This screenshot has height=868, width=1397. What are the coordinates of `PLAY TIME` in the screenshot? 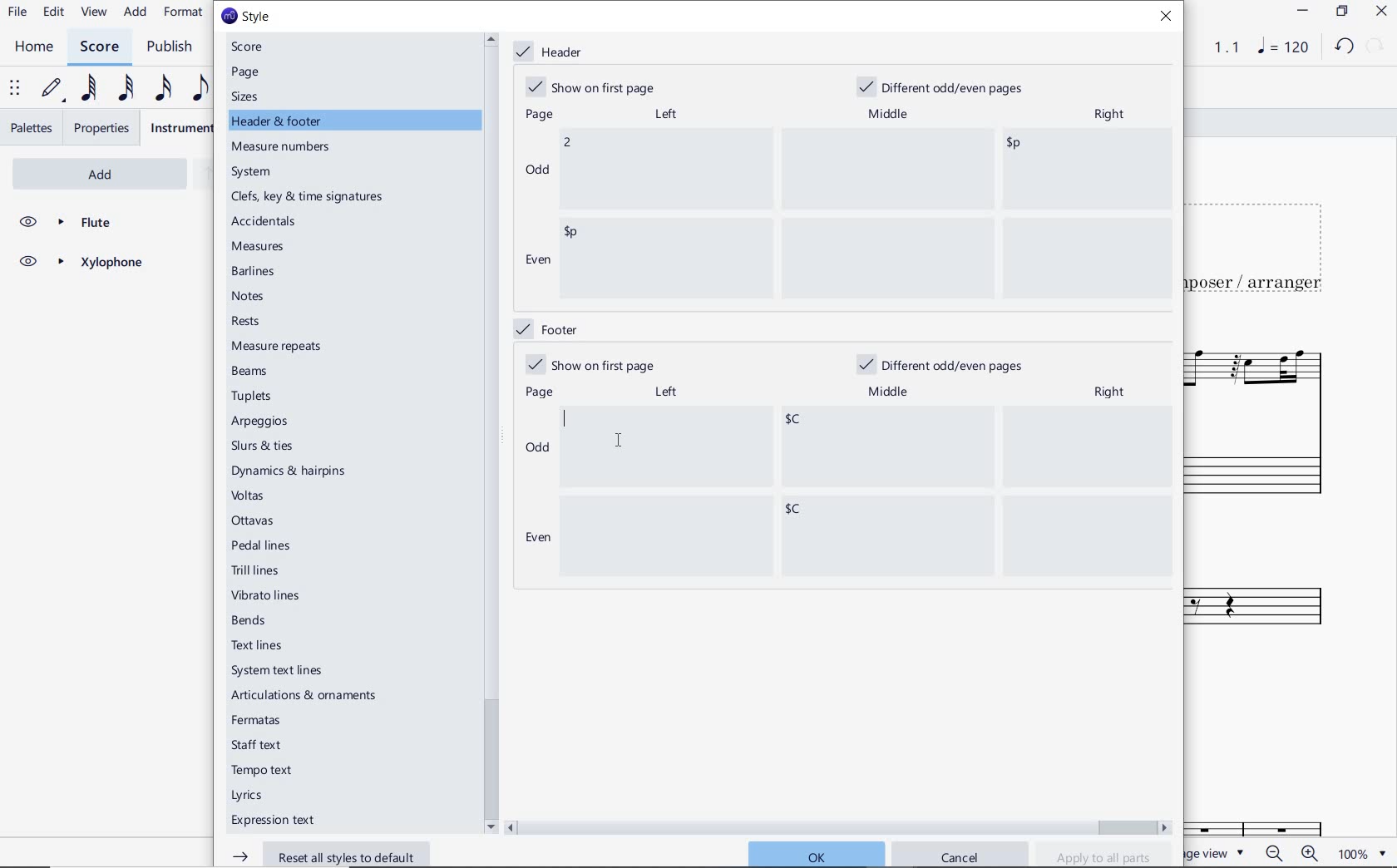 It's located at (1217, 47).